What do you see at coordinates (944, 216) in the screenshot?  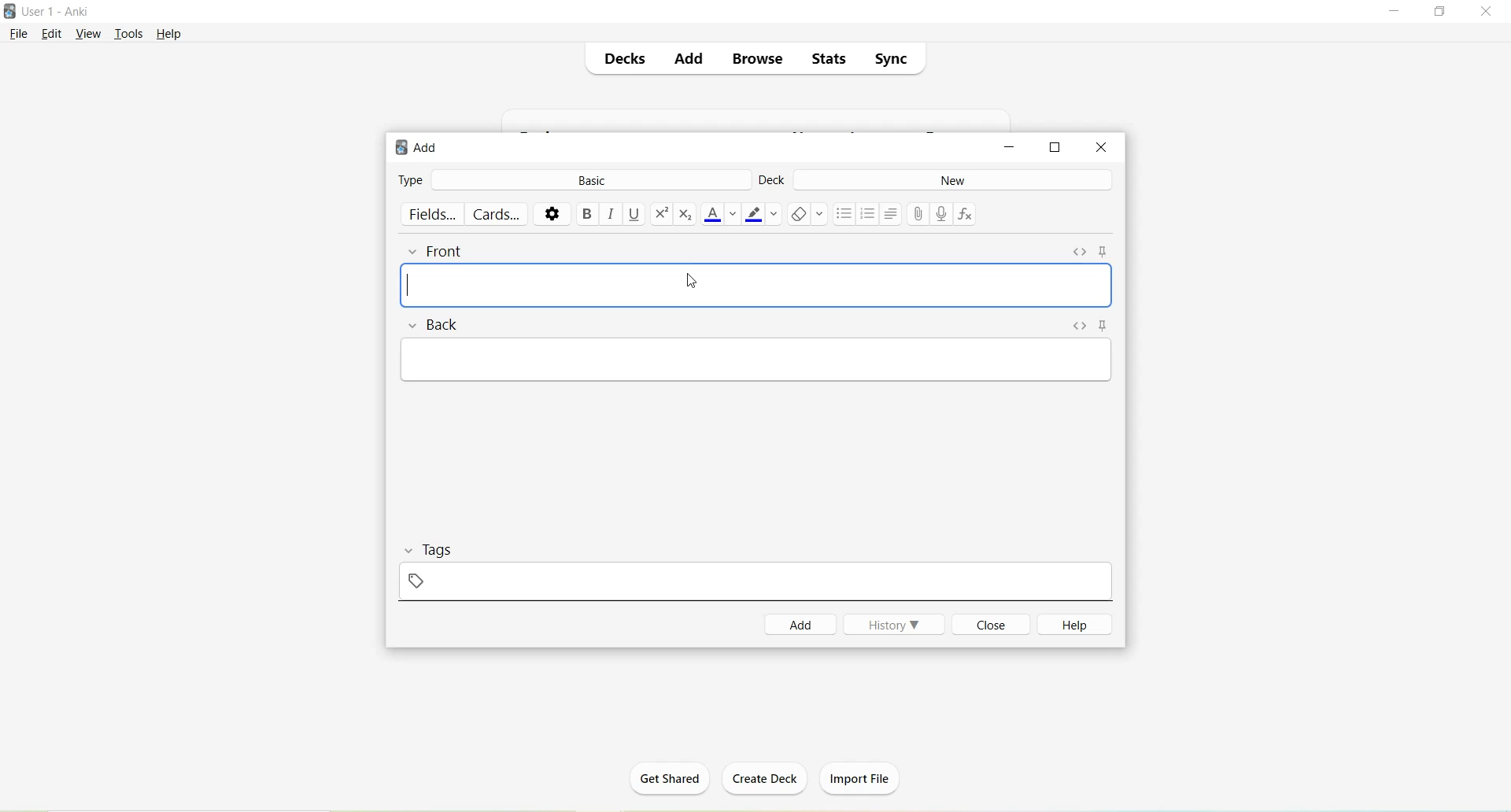 I see `Record Audio` at bounding box center [944, 216].